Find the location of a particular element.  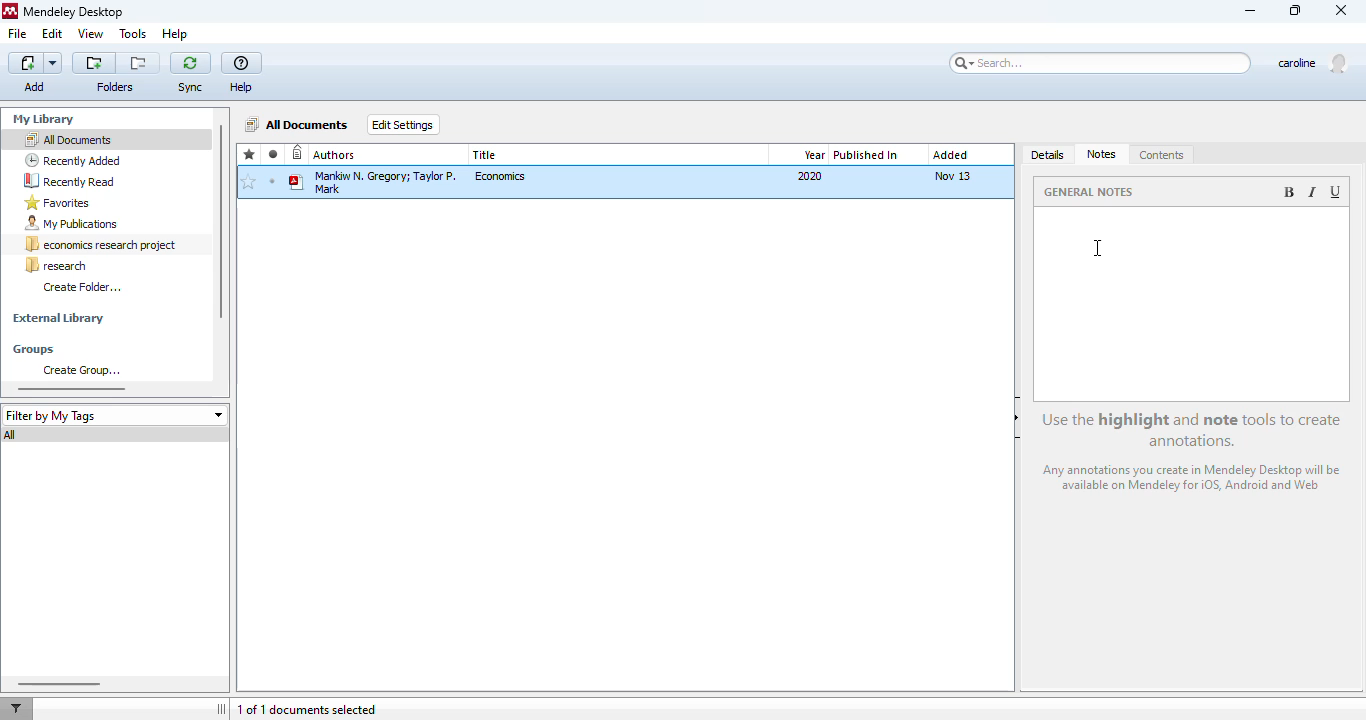

underlined is located at coordinates (1337, 192).